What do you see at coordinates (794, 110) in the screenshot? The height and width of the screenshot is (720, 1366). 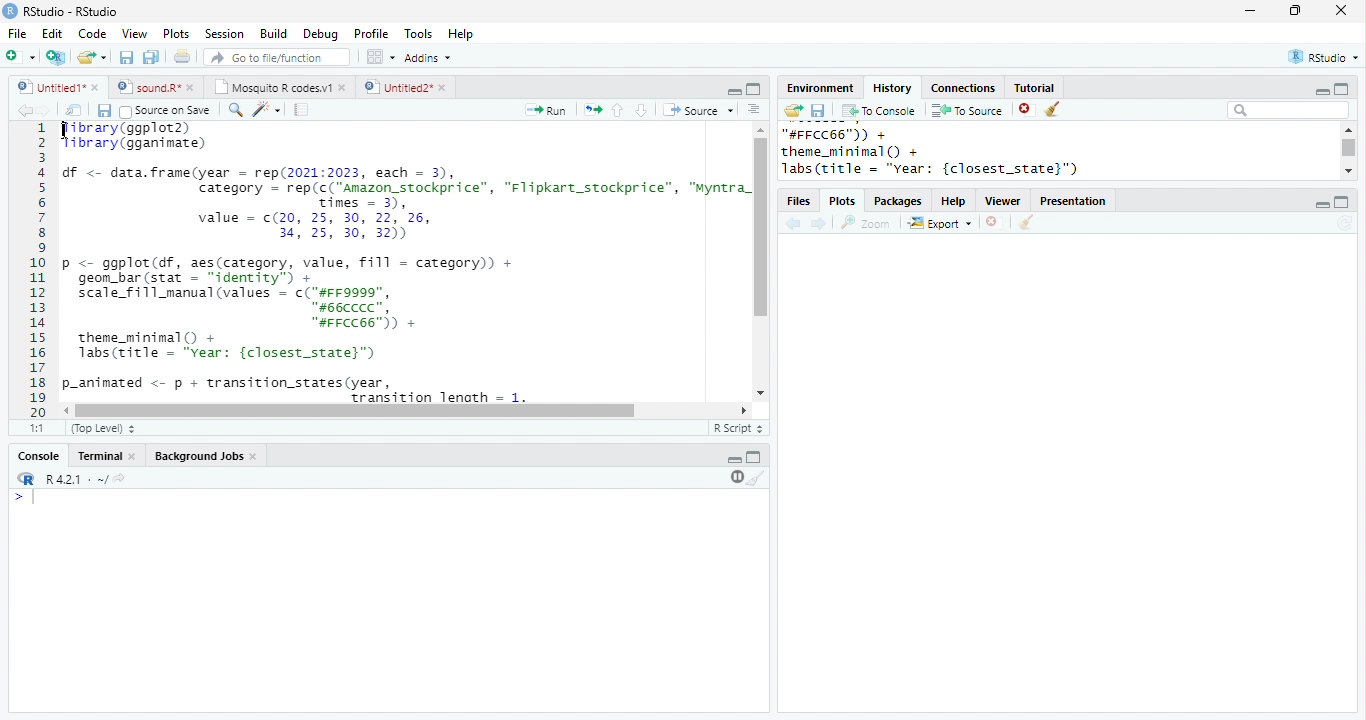 I see `open folder` at bounding box center [794, 110].